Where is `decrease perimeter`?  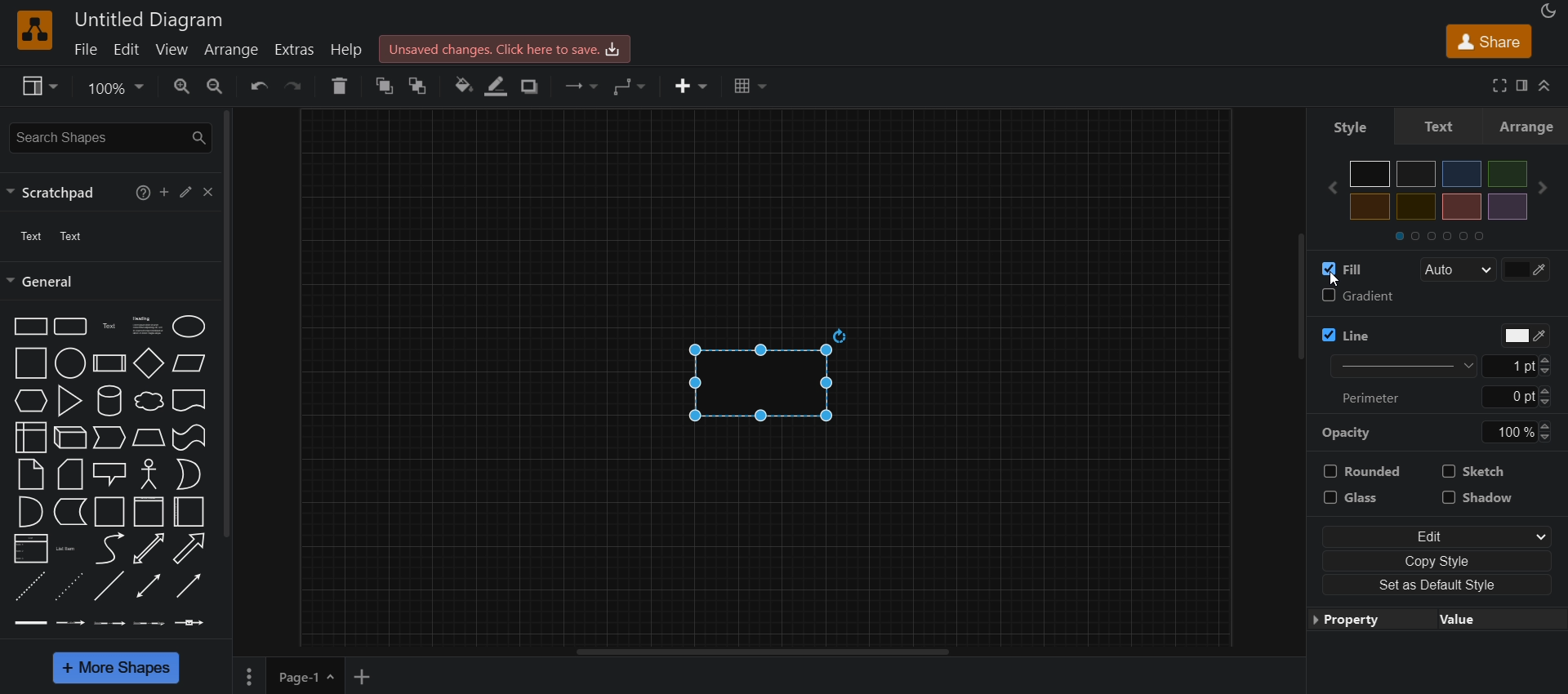 decrease perimeter is located at coordinates (1548, 403).